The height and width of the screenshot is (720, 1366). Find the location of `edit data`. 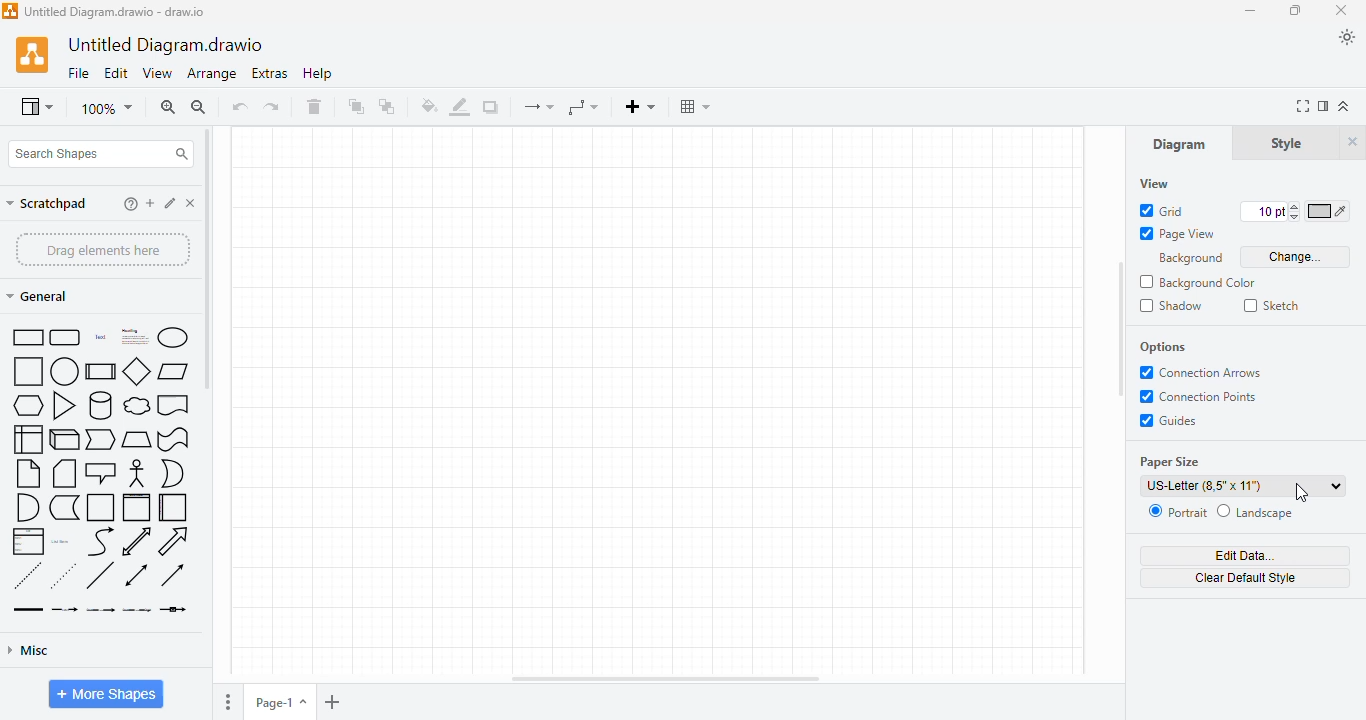

edit data is located at coordinates (1246, 556).